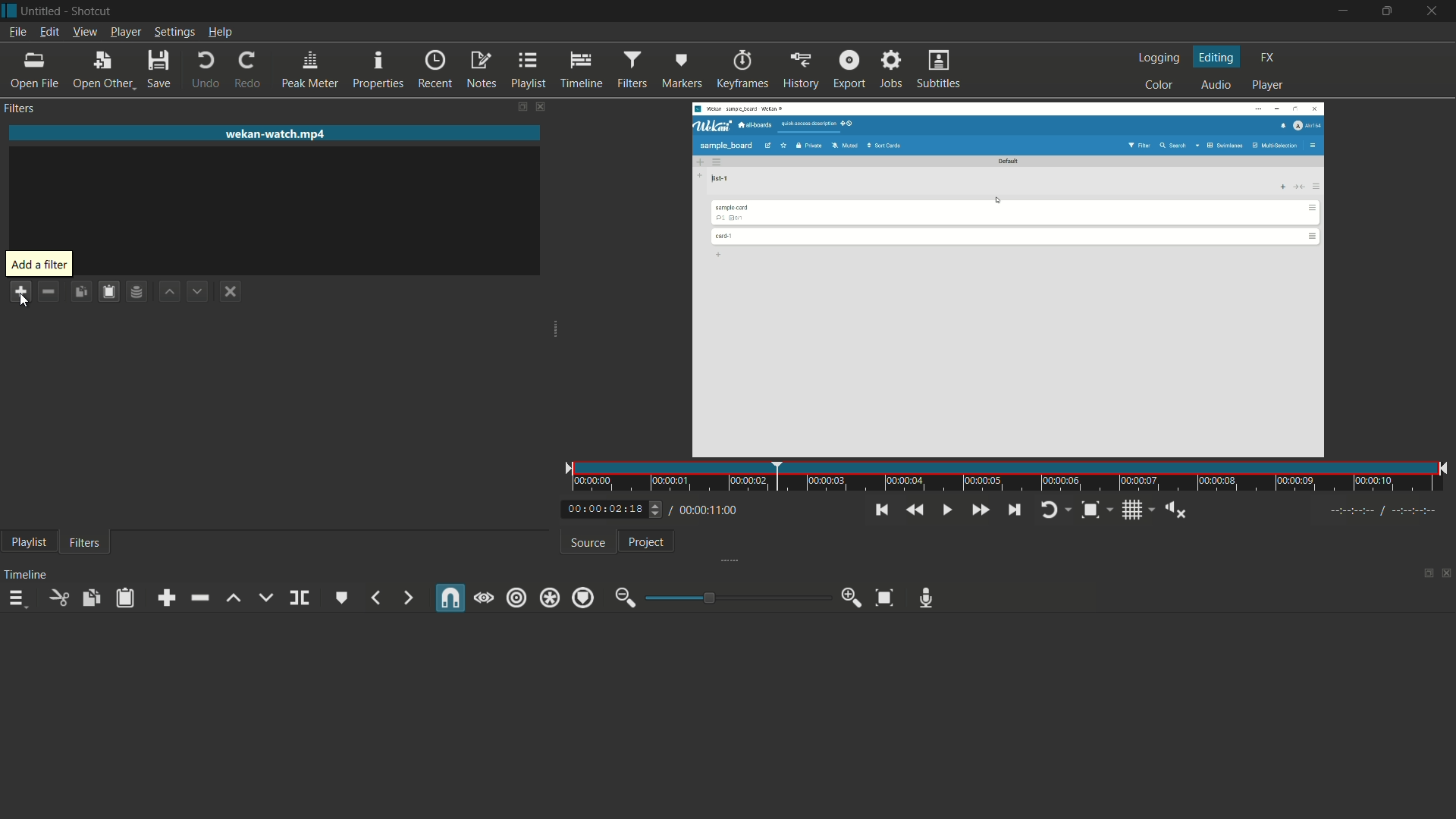  Describe the element at coordinates (742, 71) in the screenshot. I see `keyframes` at that location.